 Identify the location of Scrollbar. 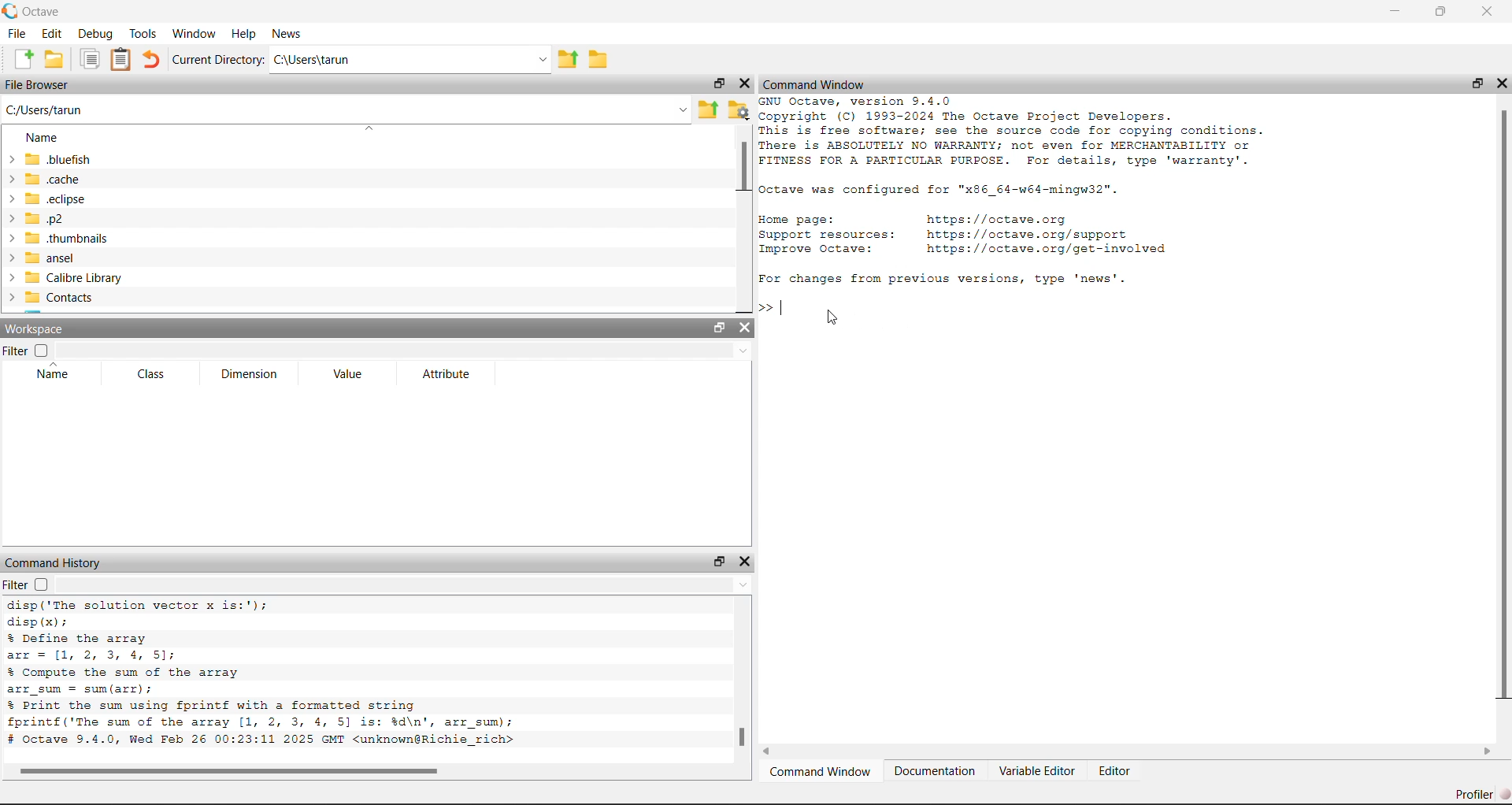
(740, 737).